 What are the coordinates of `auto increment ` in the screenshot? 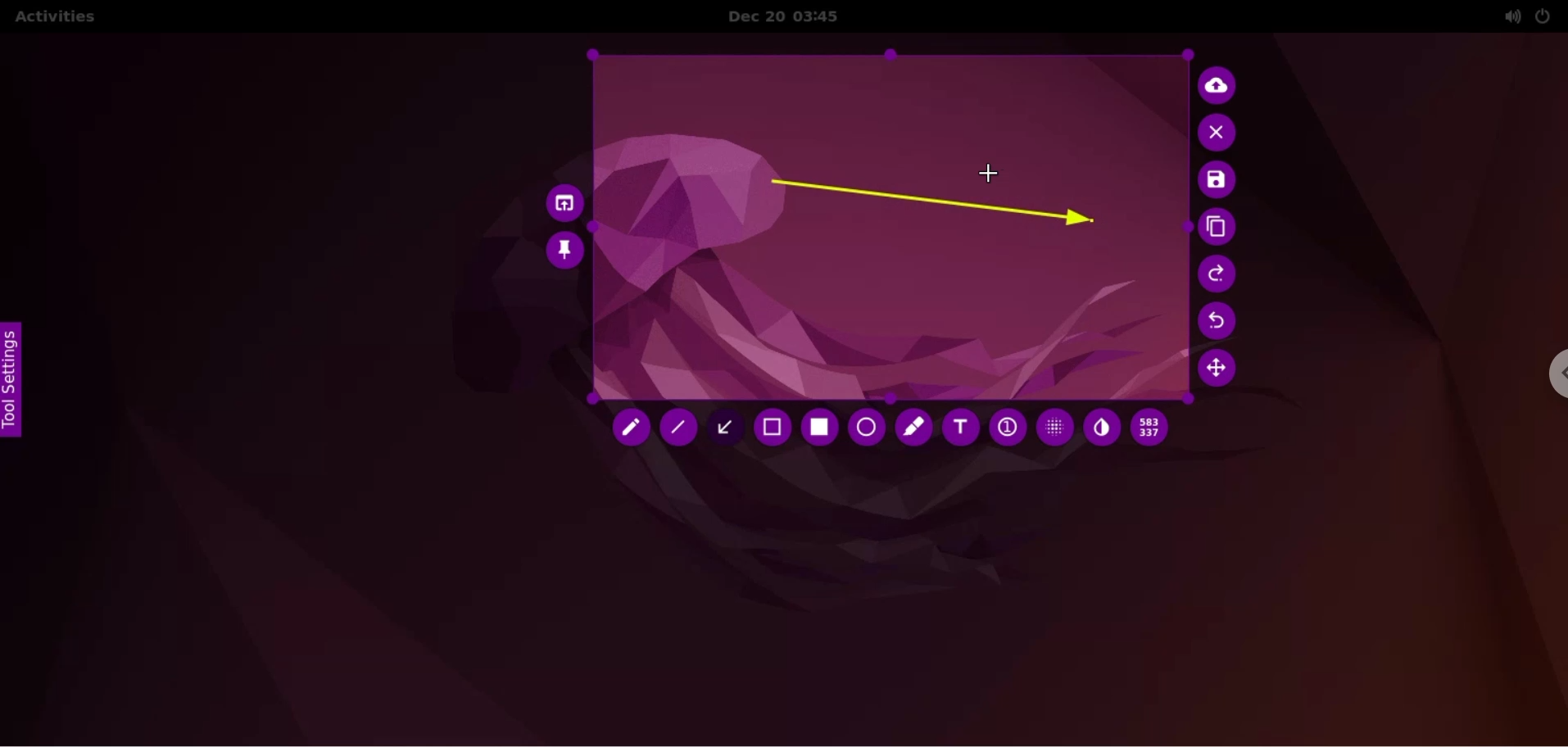 It's located at (1006, 429).